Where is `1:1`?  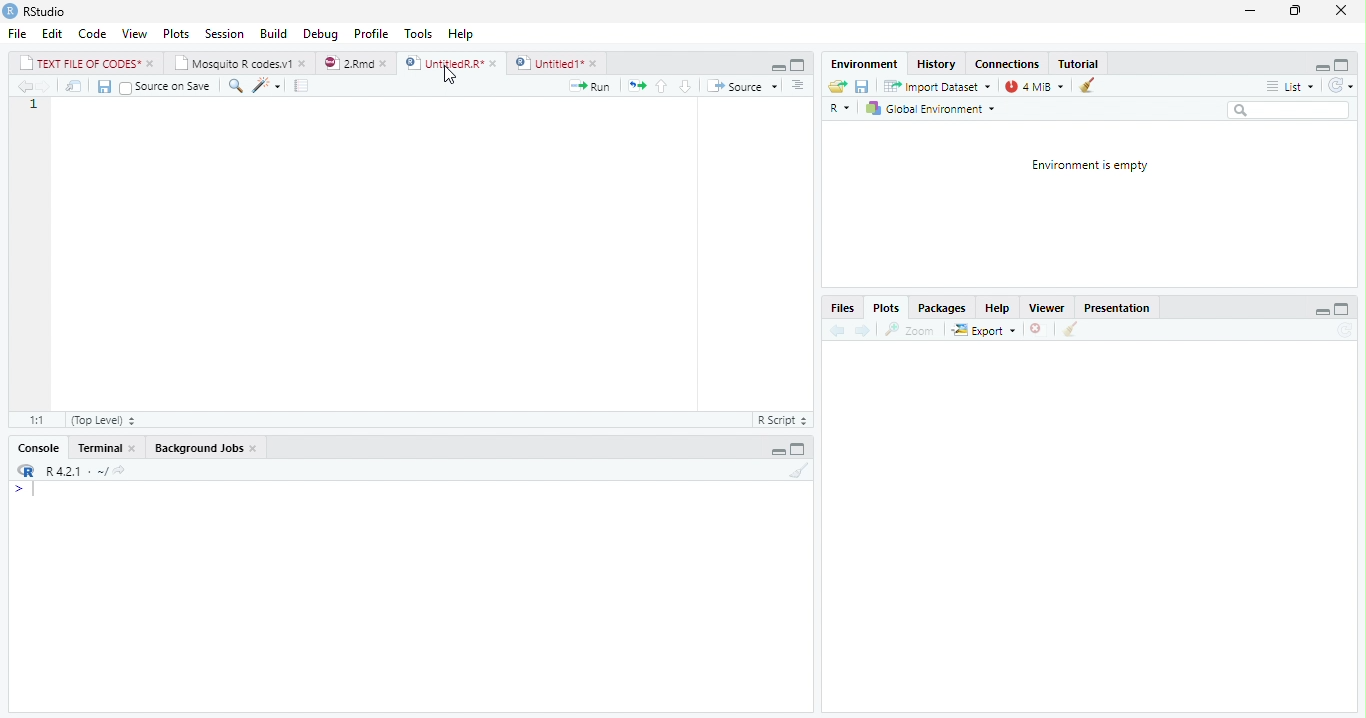
1:1 is located at coordinates (33, 420).